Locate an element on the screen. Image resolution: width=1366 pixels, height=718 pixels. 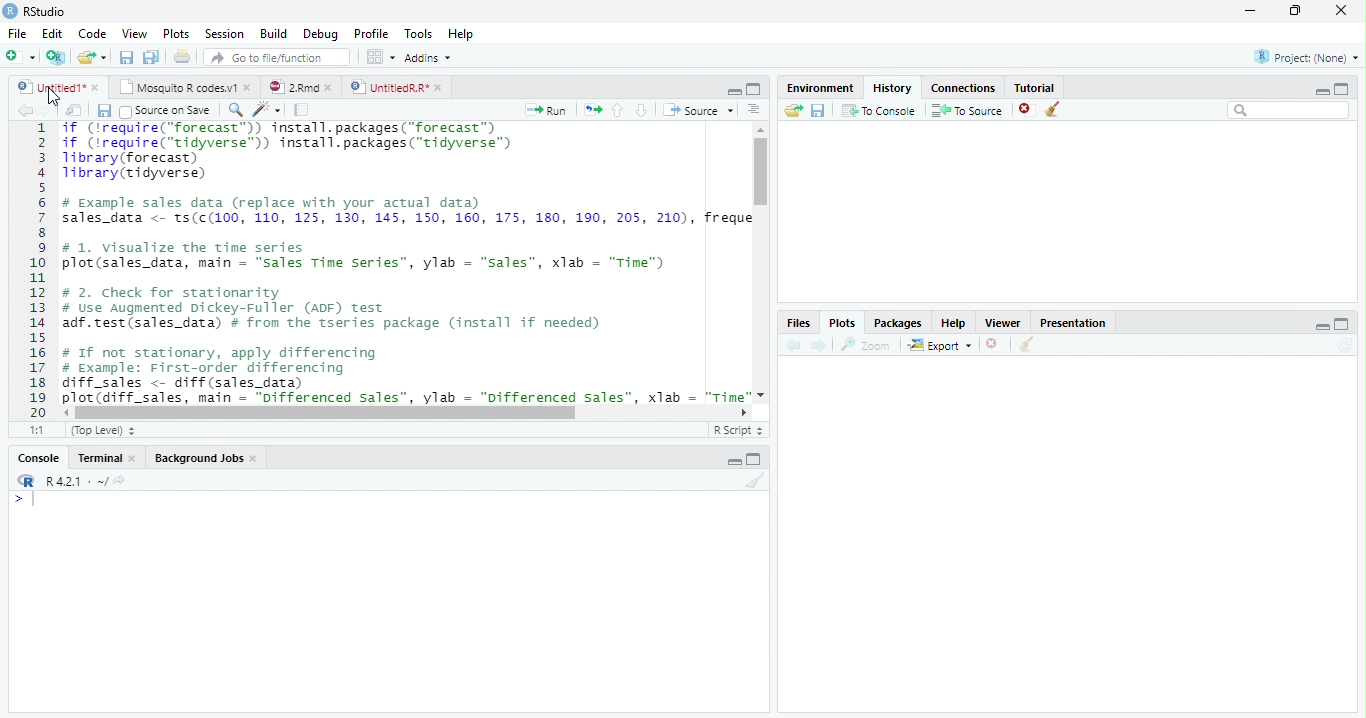
Delete is located at coordinates (1025, 107).